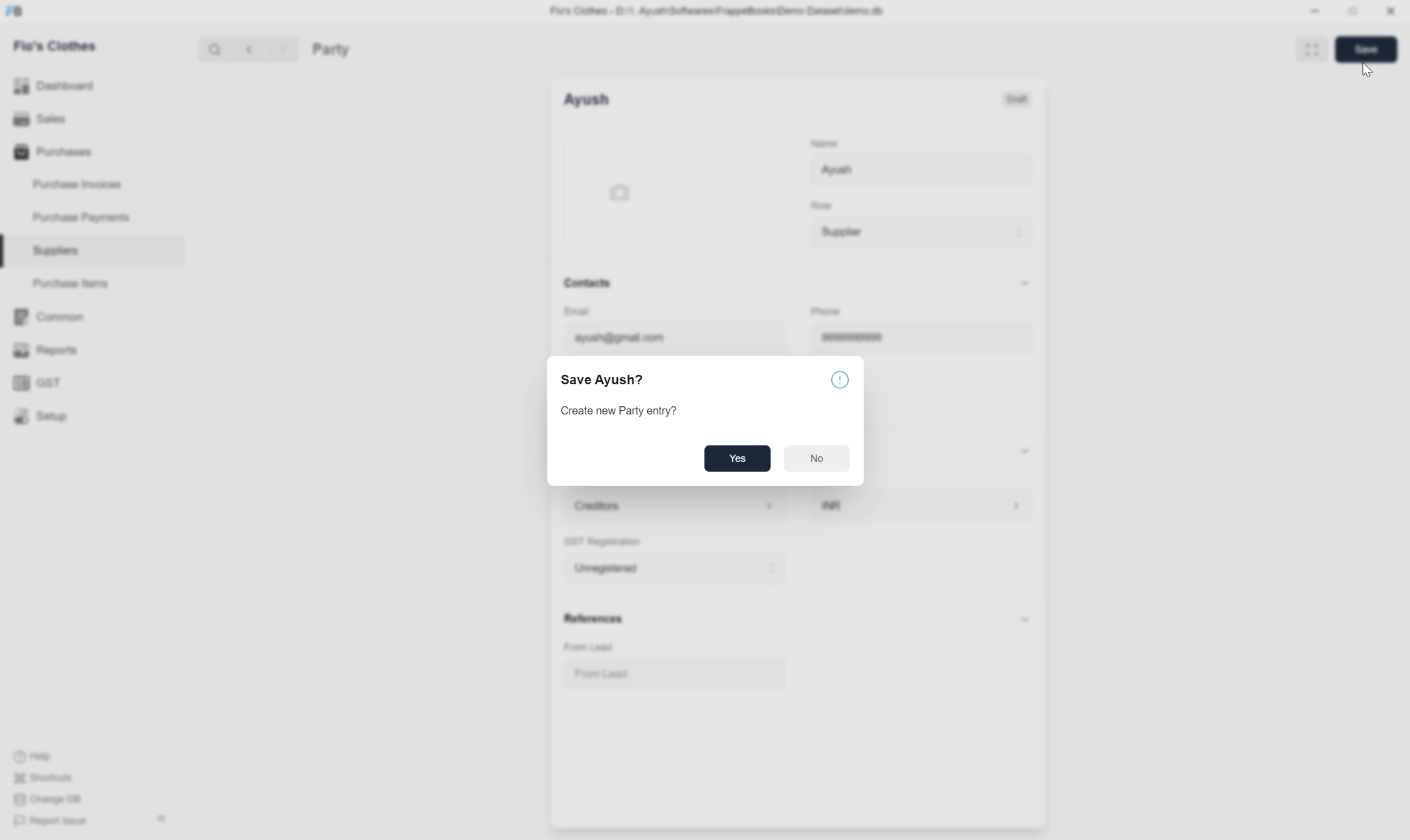 Image resolution: width=1410 pixels, height=840 pixels. I want to click on Next, so click(283, 49).